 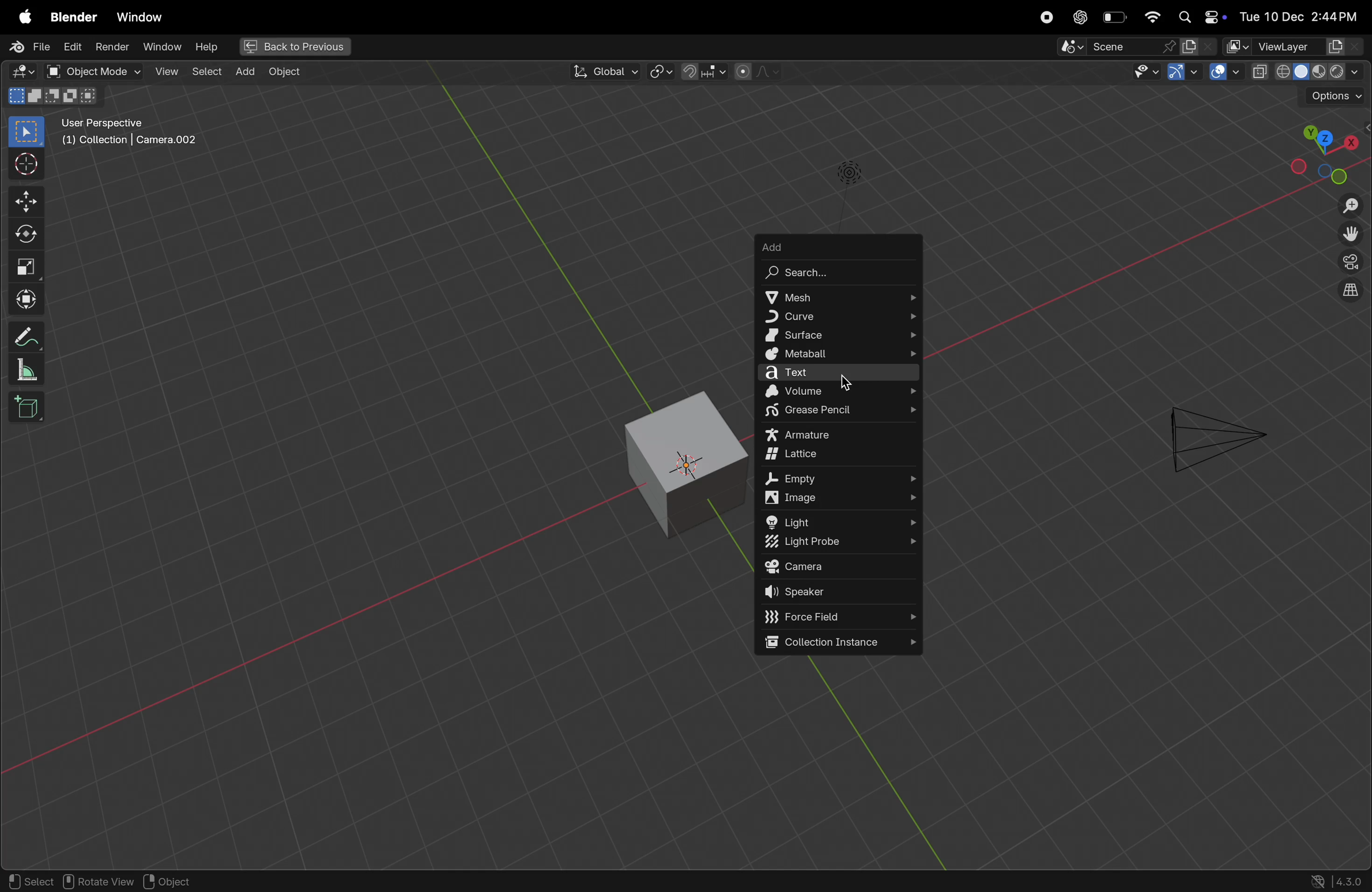 What do you see at coordinates (141, 14) in the screenshot?
I see `Window` at bounding box center [141, 14].